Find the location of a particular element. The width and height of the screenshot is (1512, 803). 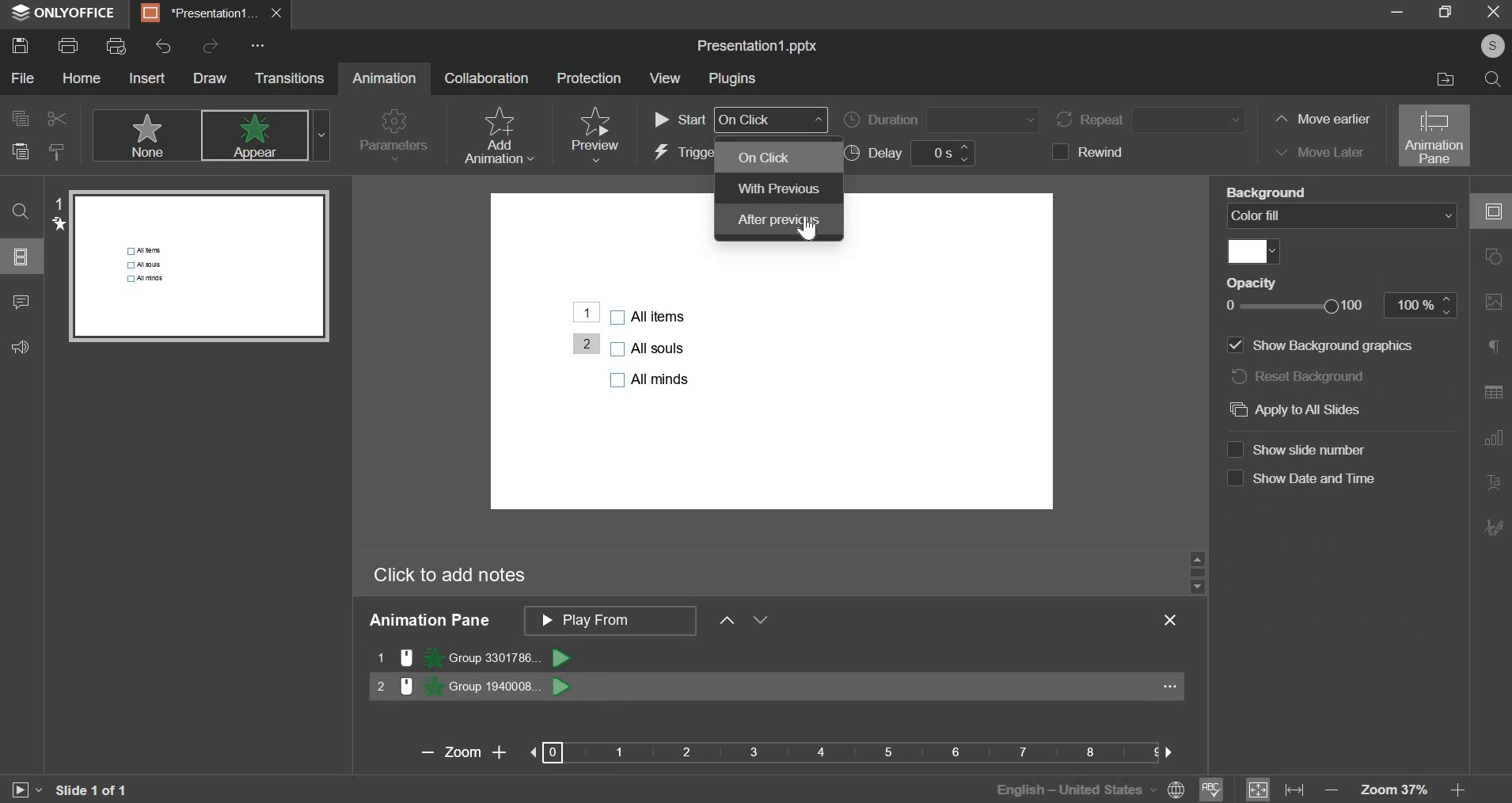

parameters is located at coordinates (394, 137).